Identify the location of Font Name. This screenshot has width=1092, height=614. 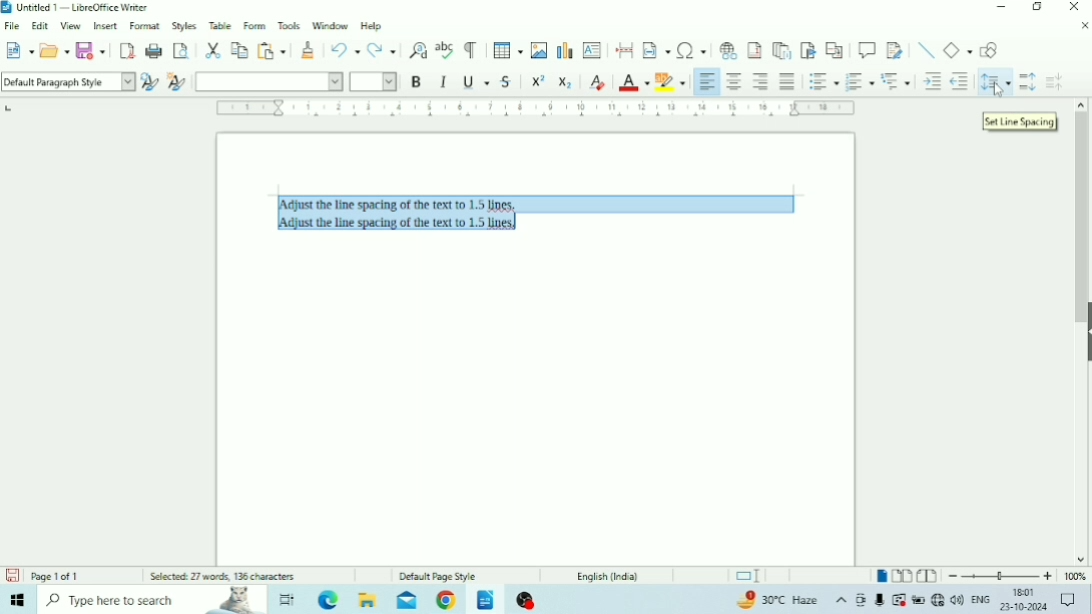
(269, 81).